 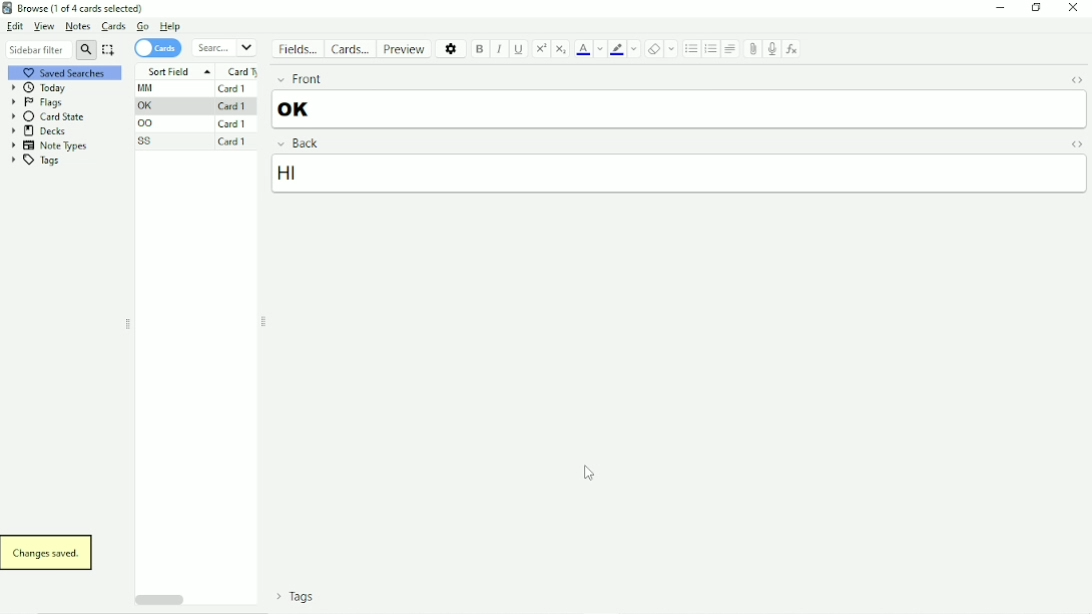 What do you see at coordinates (37, 103) in the screenshot?
I see `Flags` at bounding box center [37, 103].